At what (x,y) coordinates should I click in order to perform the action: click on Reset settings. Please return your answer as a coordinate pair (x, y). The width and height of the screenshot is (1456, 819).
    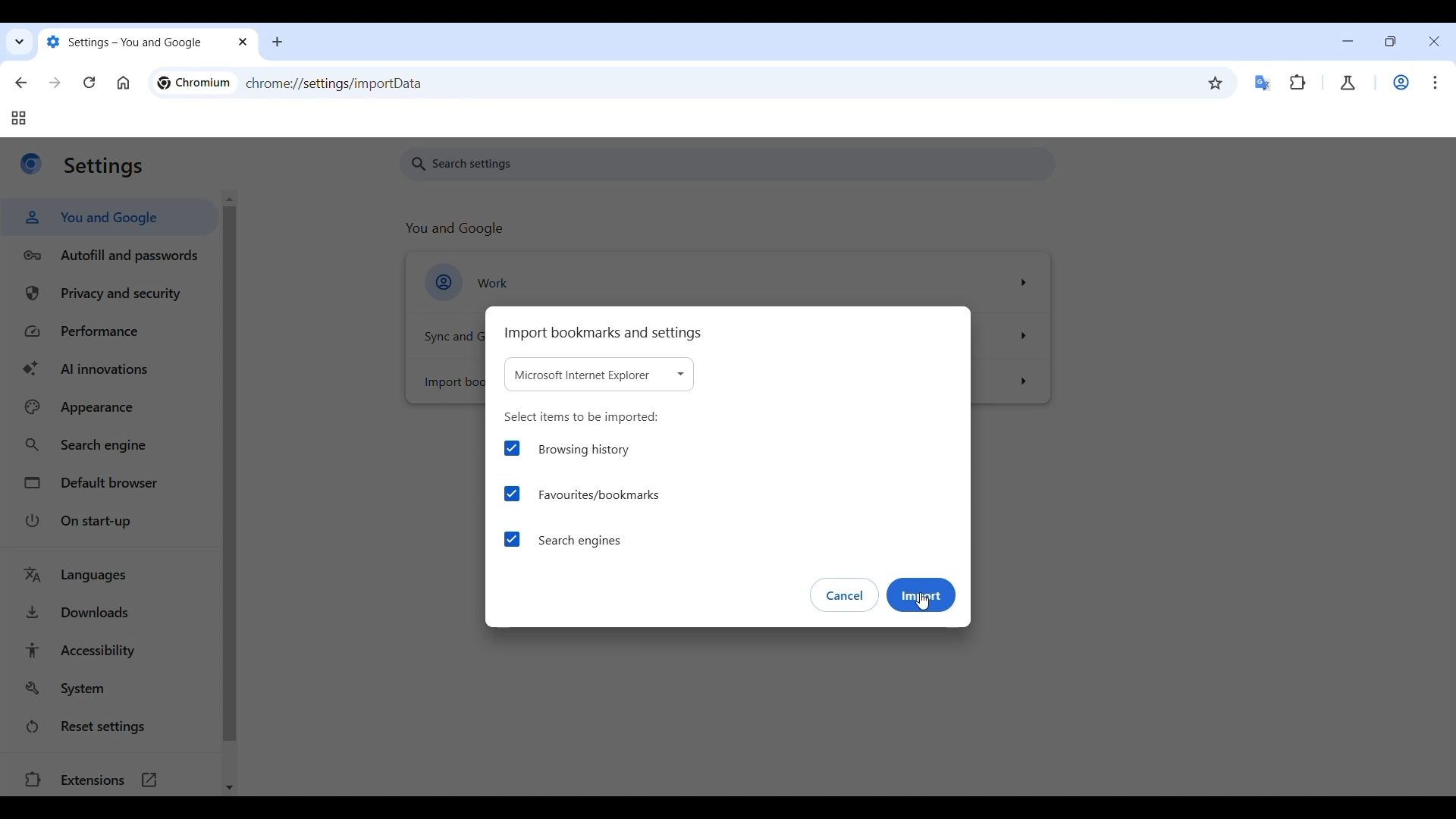
    Looking at the image, I should click on (109, 726).